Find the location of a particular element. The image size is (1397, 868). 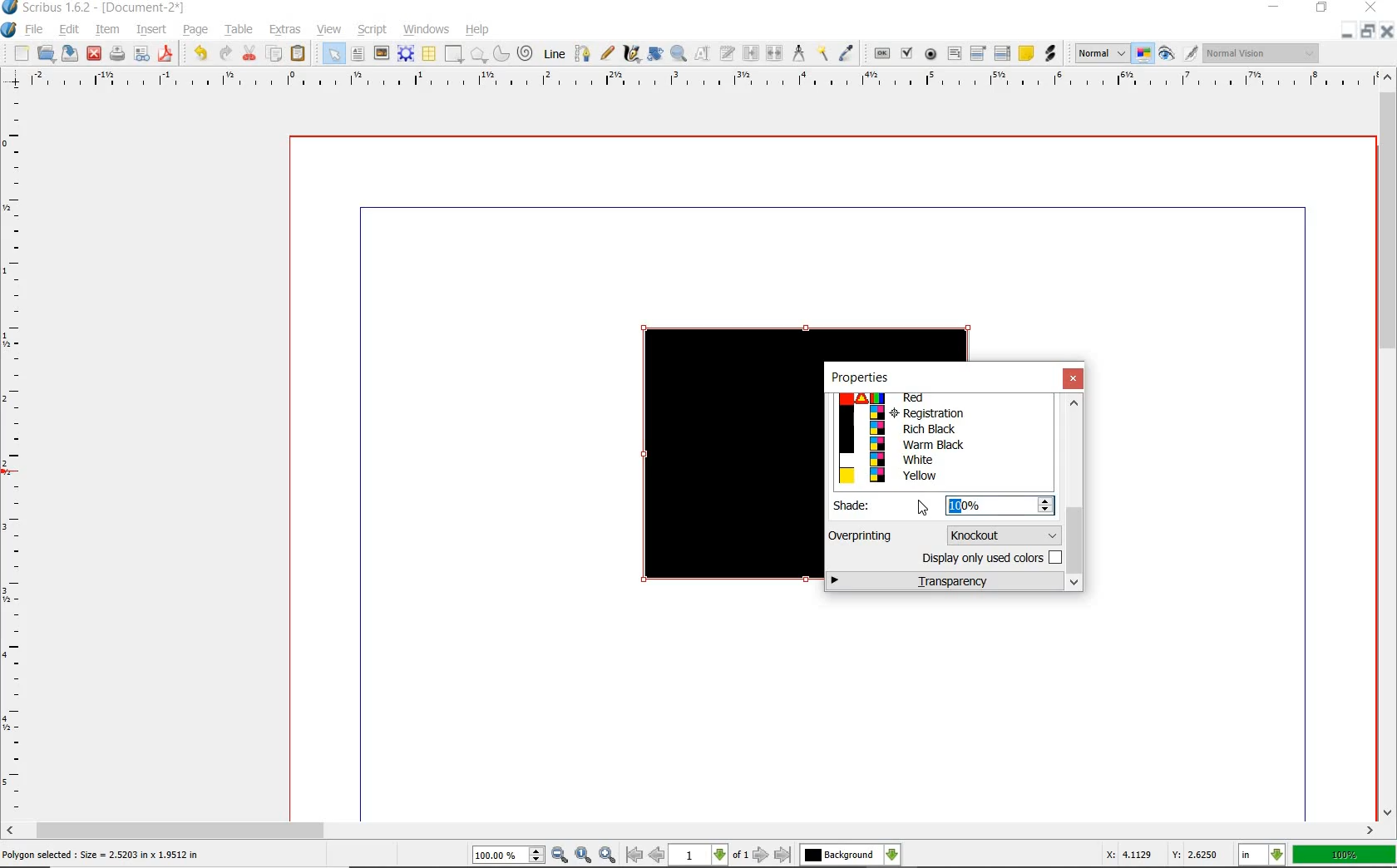

close is located at coordinates (93, 55).